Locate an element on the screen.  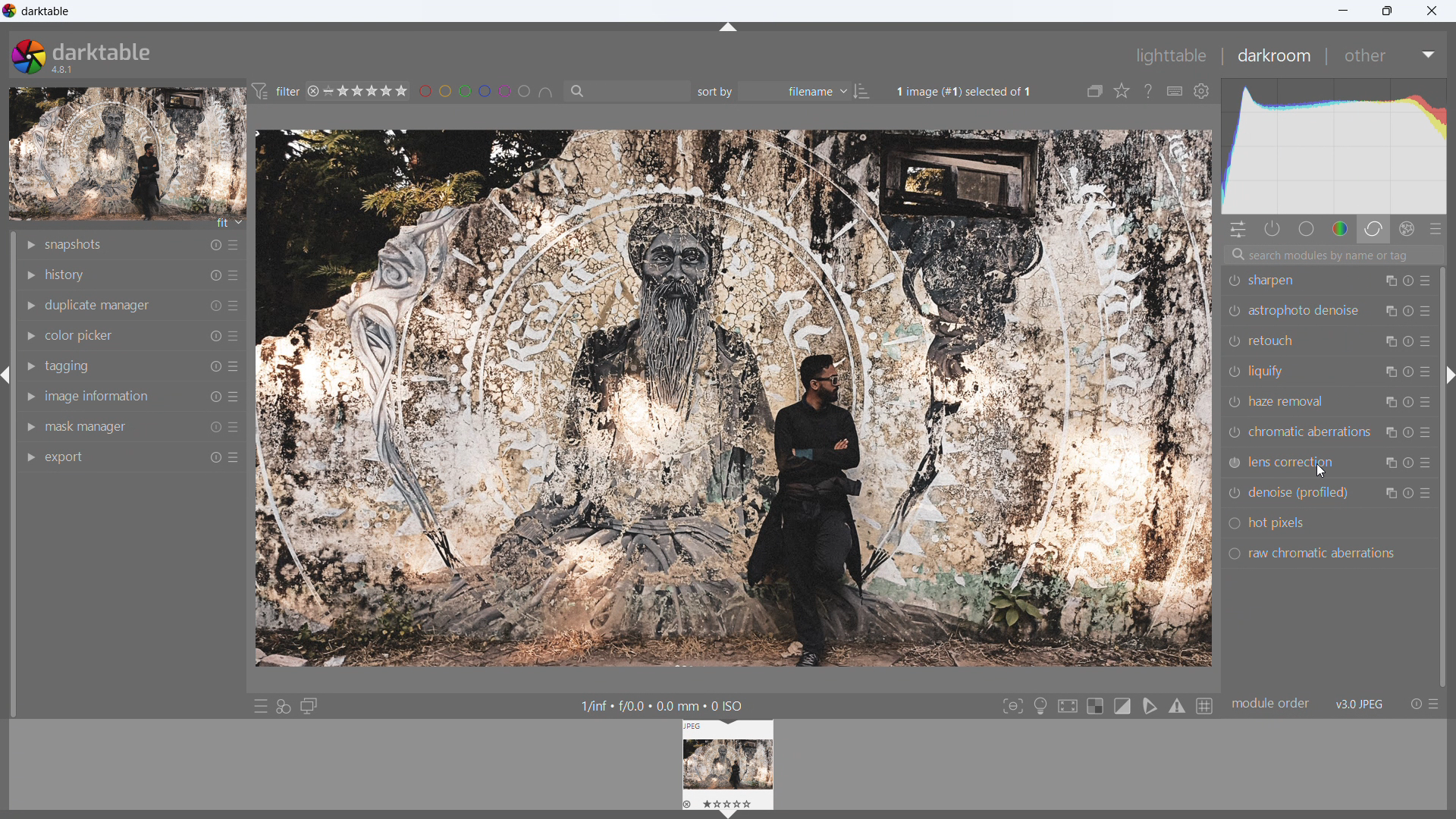
more options is located at coordinates (236, 273).